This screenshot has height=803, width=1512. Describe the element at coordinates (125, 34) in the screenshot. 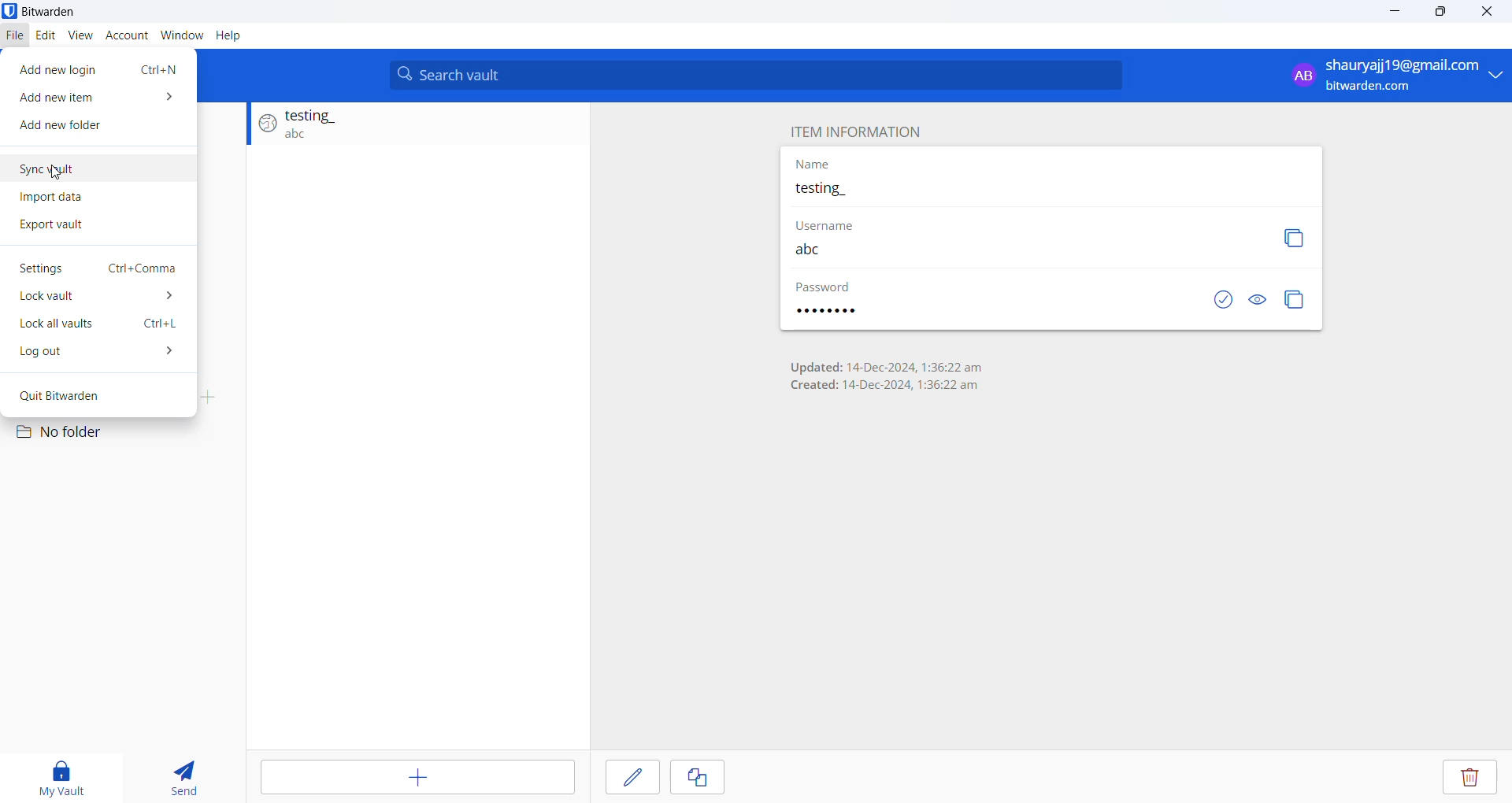

I see `Account` at that location.